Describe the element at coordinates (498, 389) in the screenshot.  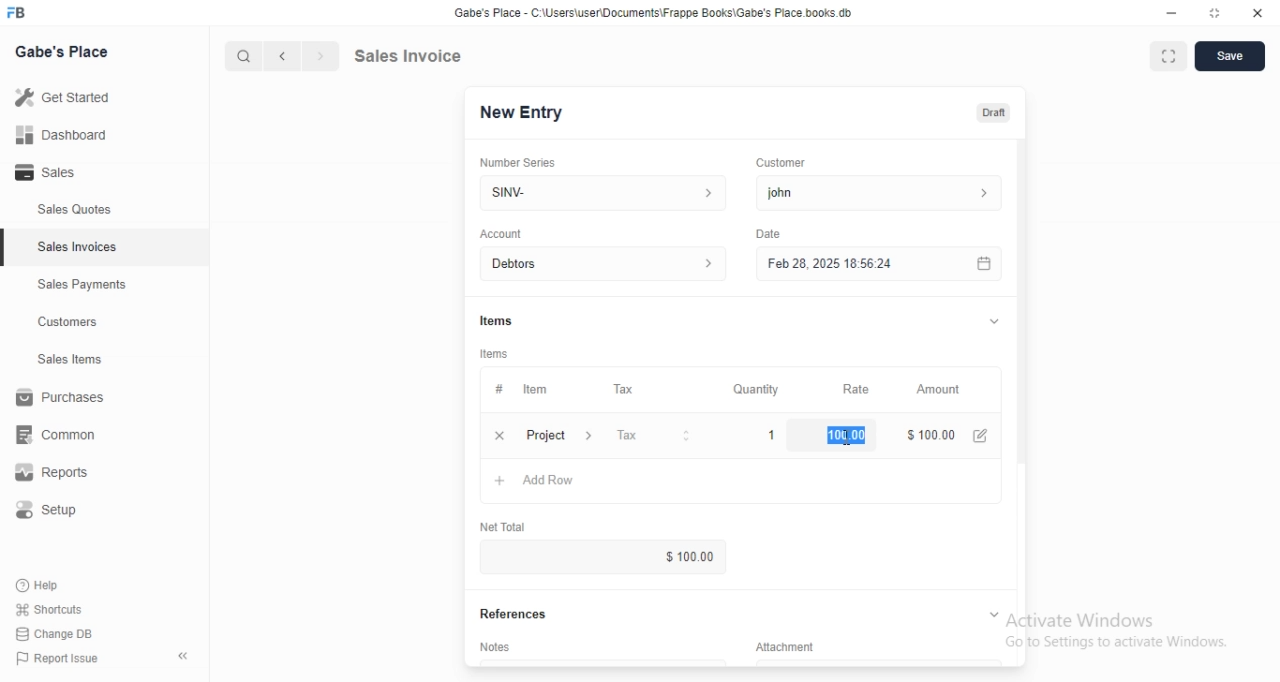
I see `` at that location.